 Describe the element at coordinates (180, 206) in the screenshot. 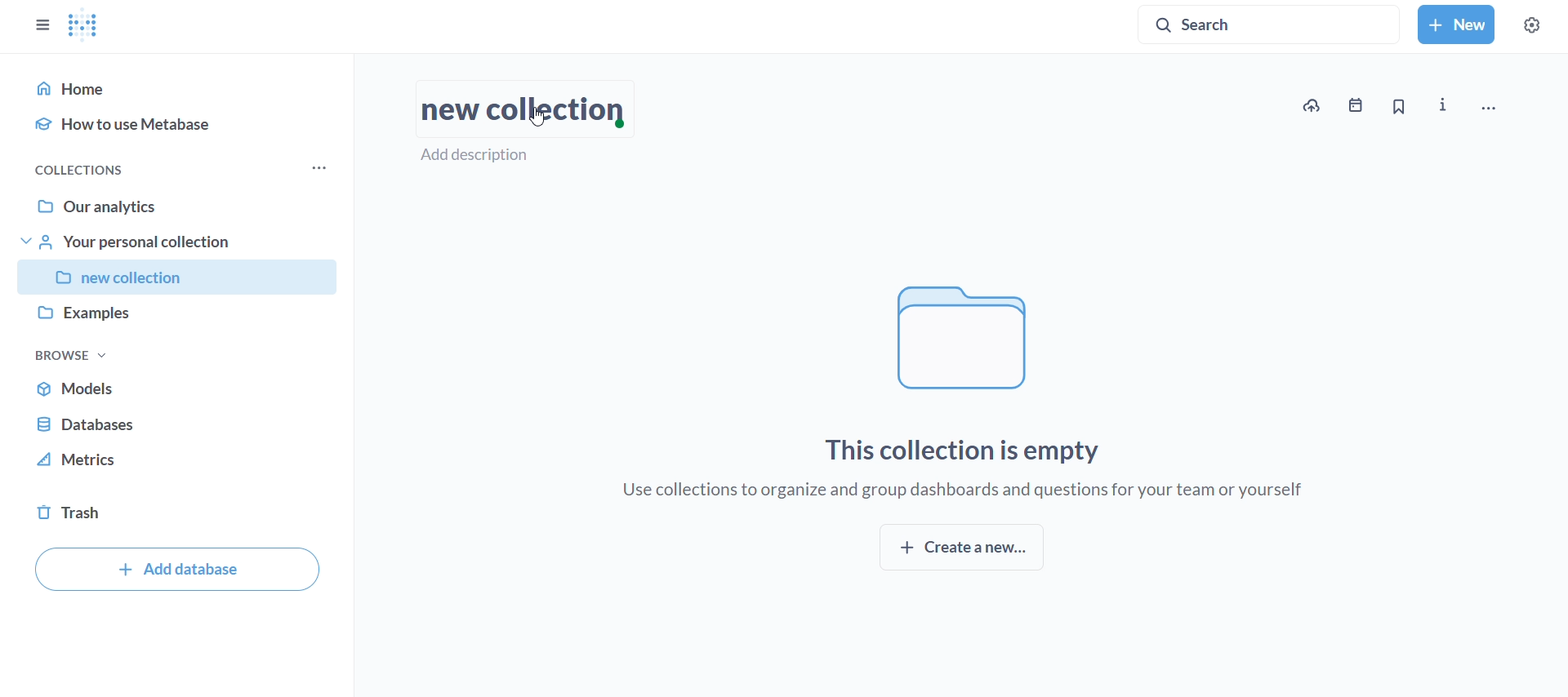

I see `our analytics` at that location.